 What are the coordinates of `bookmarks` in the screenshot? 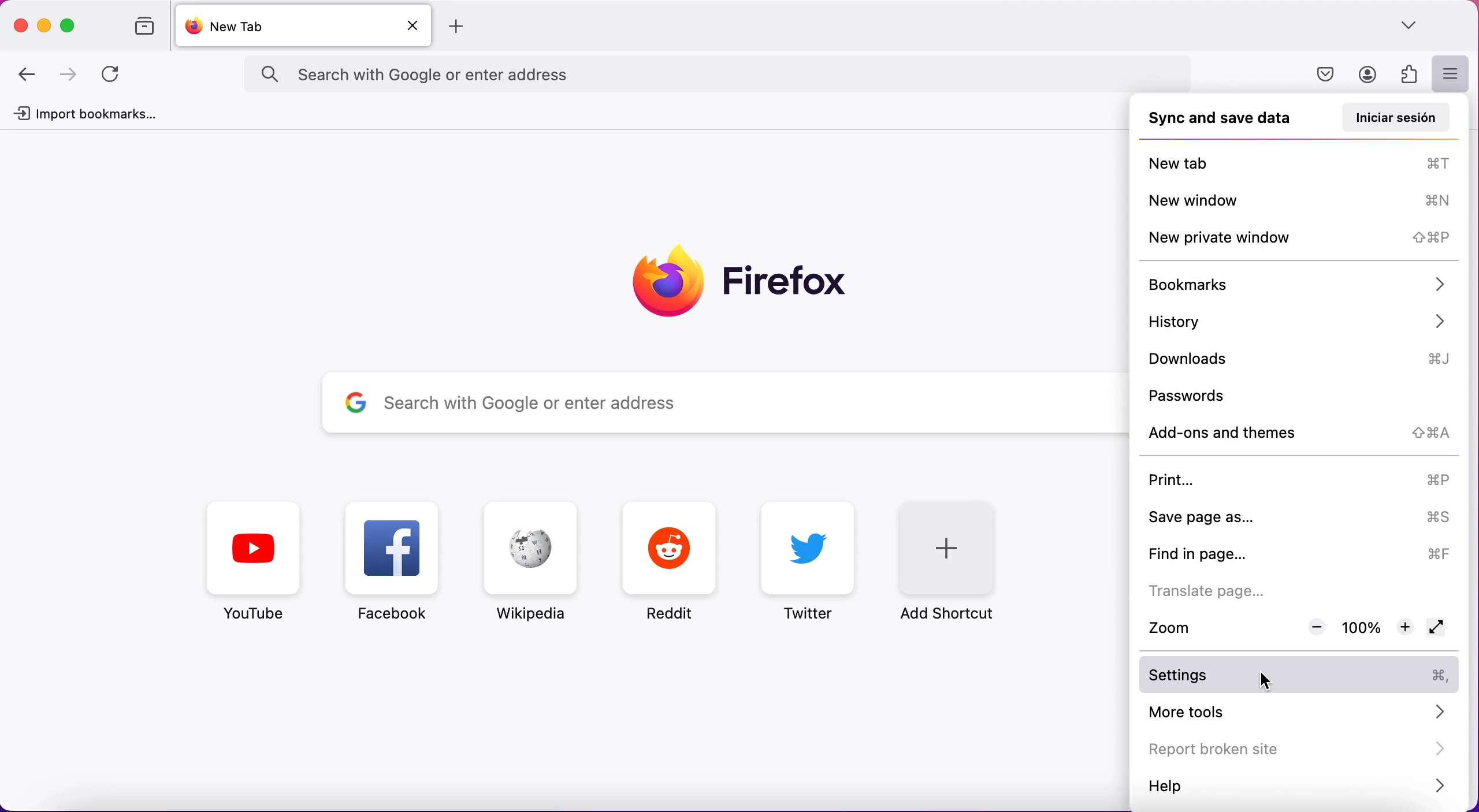 It's located at (1296, 283).